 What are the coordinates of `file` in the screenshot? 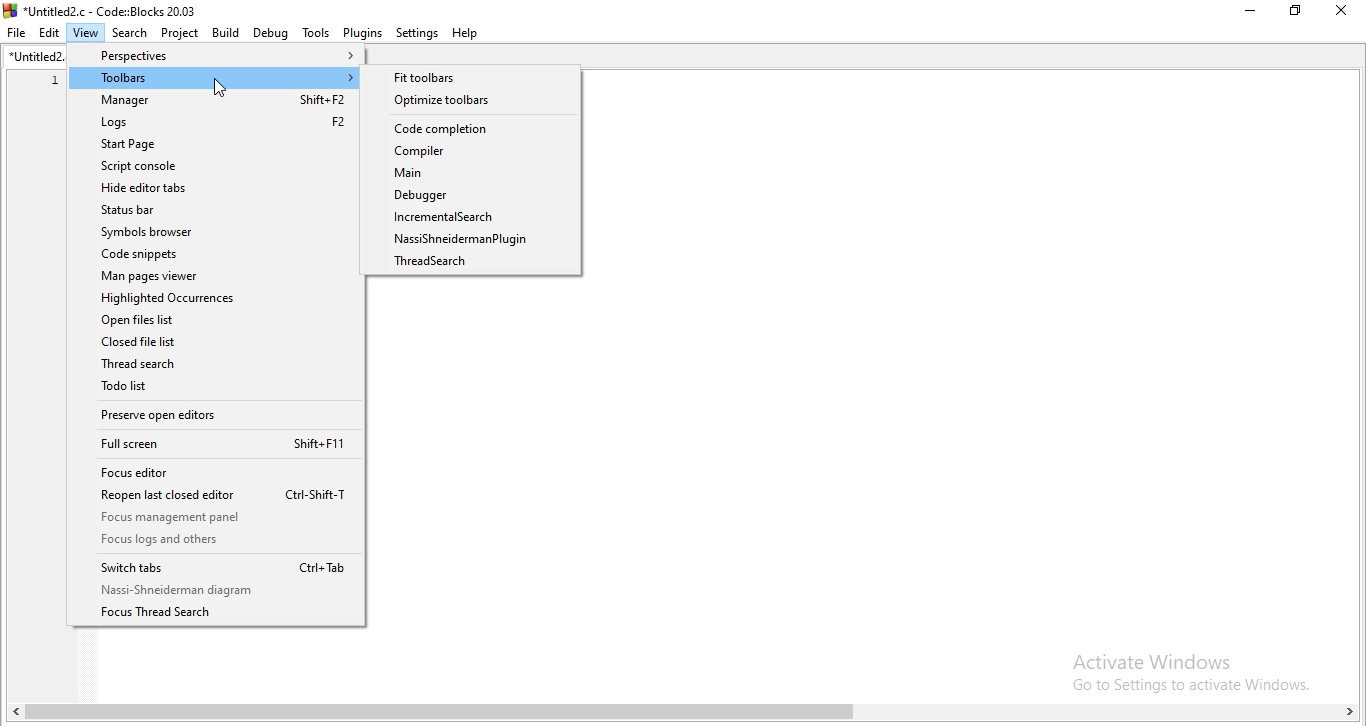 It's located at (16, 34).